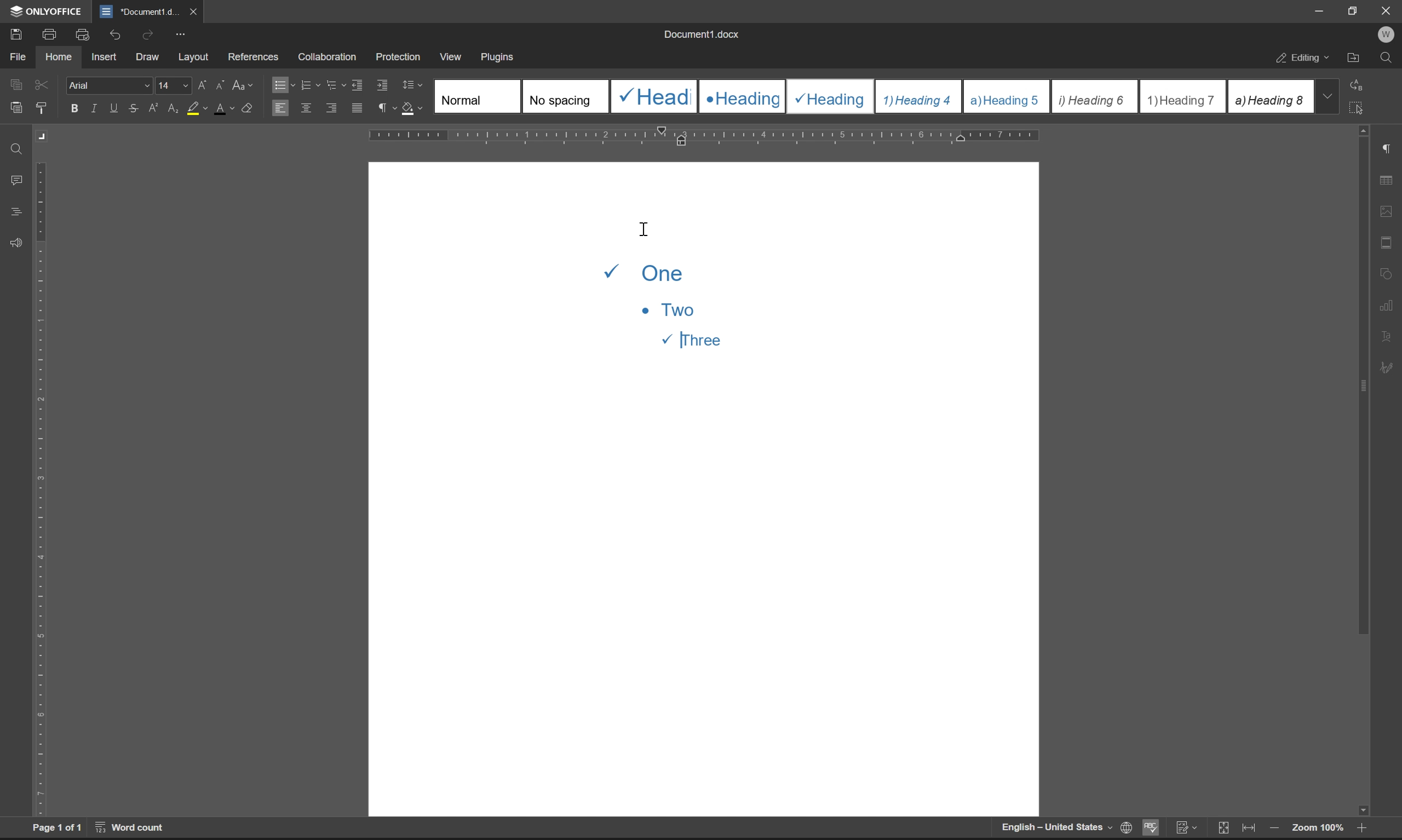  Describe the element at coordinates (1186, 828) in the screenshot. I see `track changes` at that location.